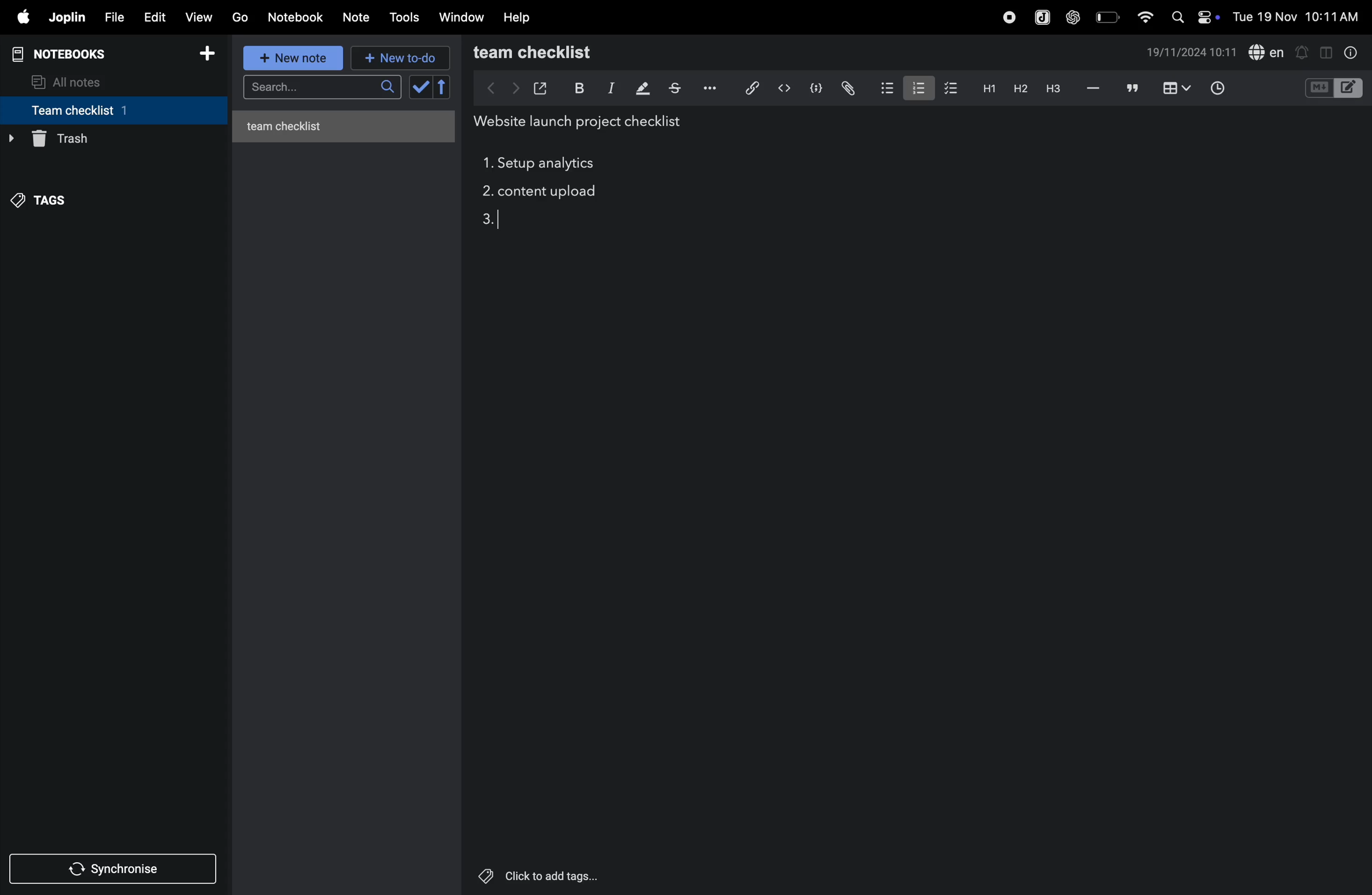 The image size is (1372, 895). Describe the element at coordinates (747, 87) in the screenshot. I see `hyperlink` at that location.